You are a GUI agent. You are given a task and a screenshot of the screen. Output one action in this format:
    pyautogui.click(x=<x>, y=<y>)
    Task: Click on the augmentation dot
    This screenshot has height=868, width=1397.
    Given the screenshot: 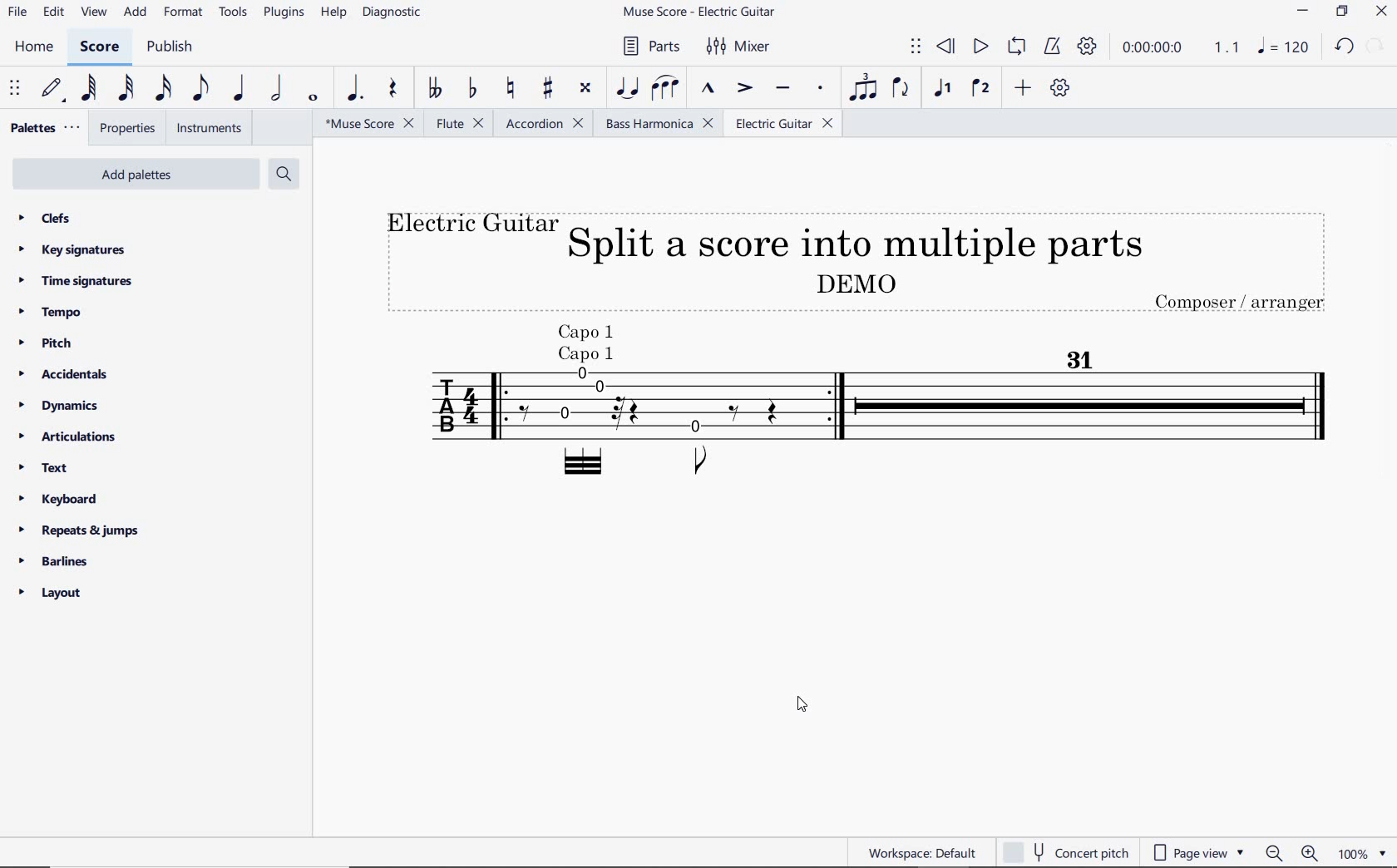 What is the action you would take?
    pyautogui.click(x=357, y=88)
    